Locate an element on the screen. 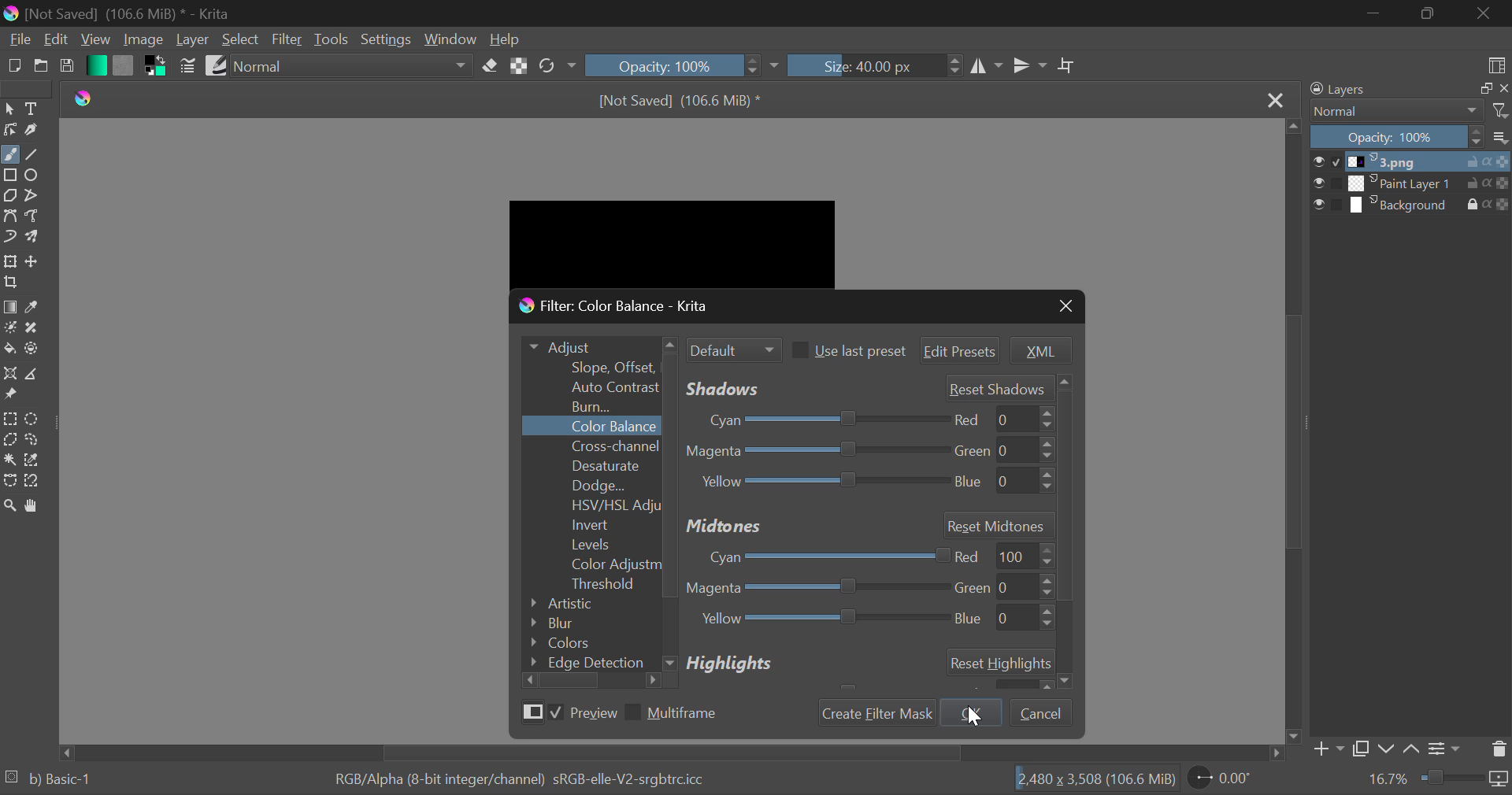  Auto Contrast is located at coordinates (610, 387).